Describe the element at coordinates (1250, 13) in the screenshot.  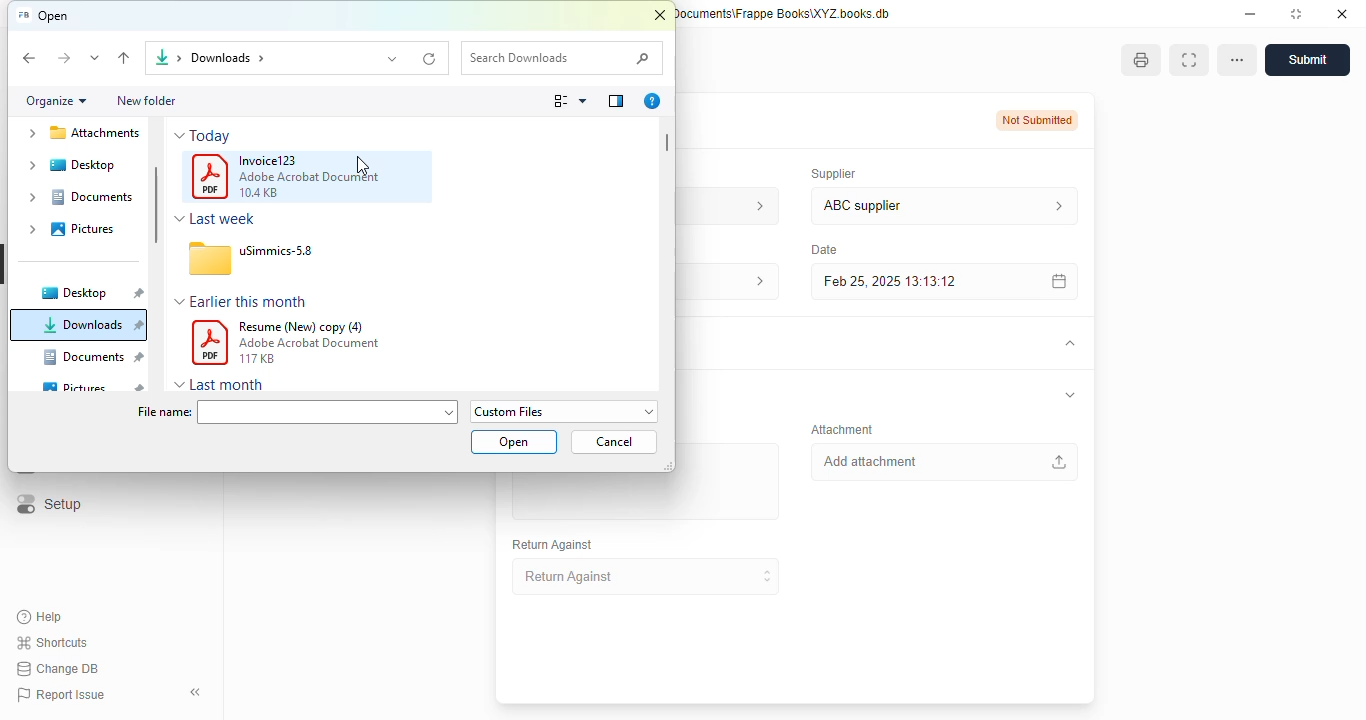
I see `minimize` at that location.